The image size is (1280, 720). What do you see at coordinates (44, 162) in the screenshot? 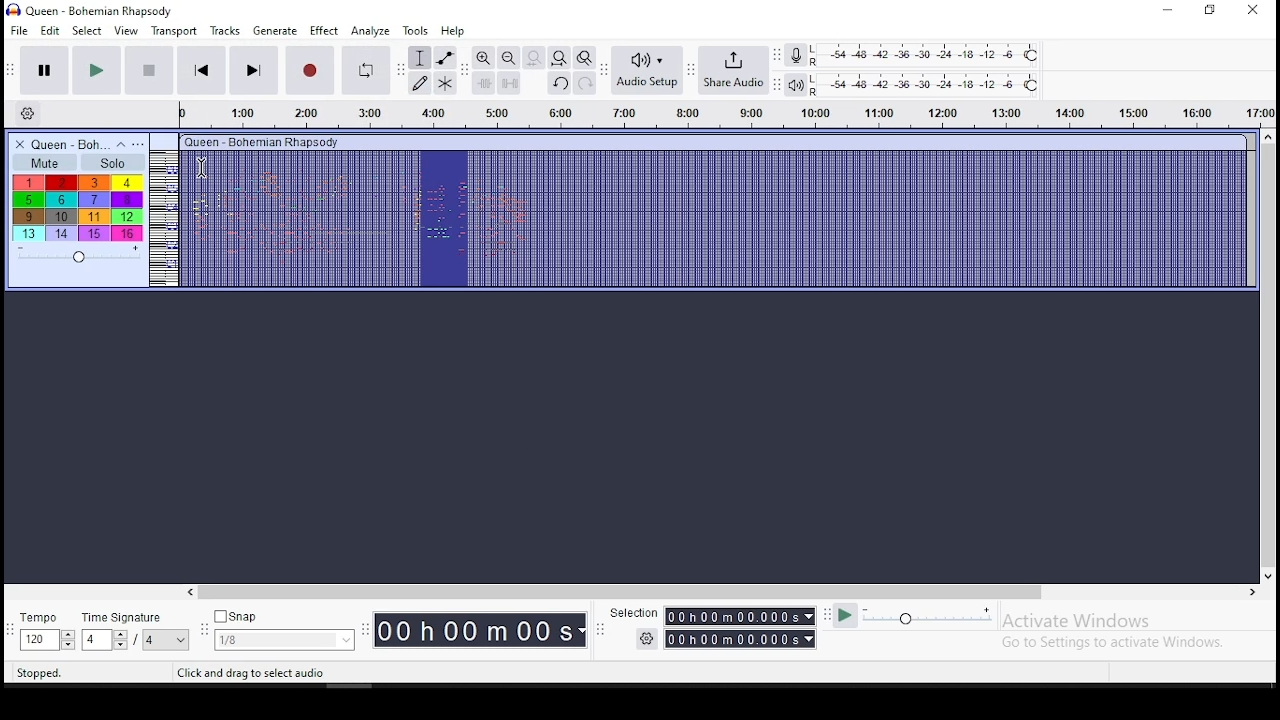
I see `mute` at bounding box center [44, 162].